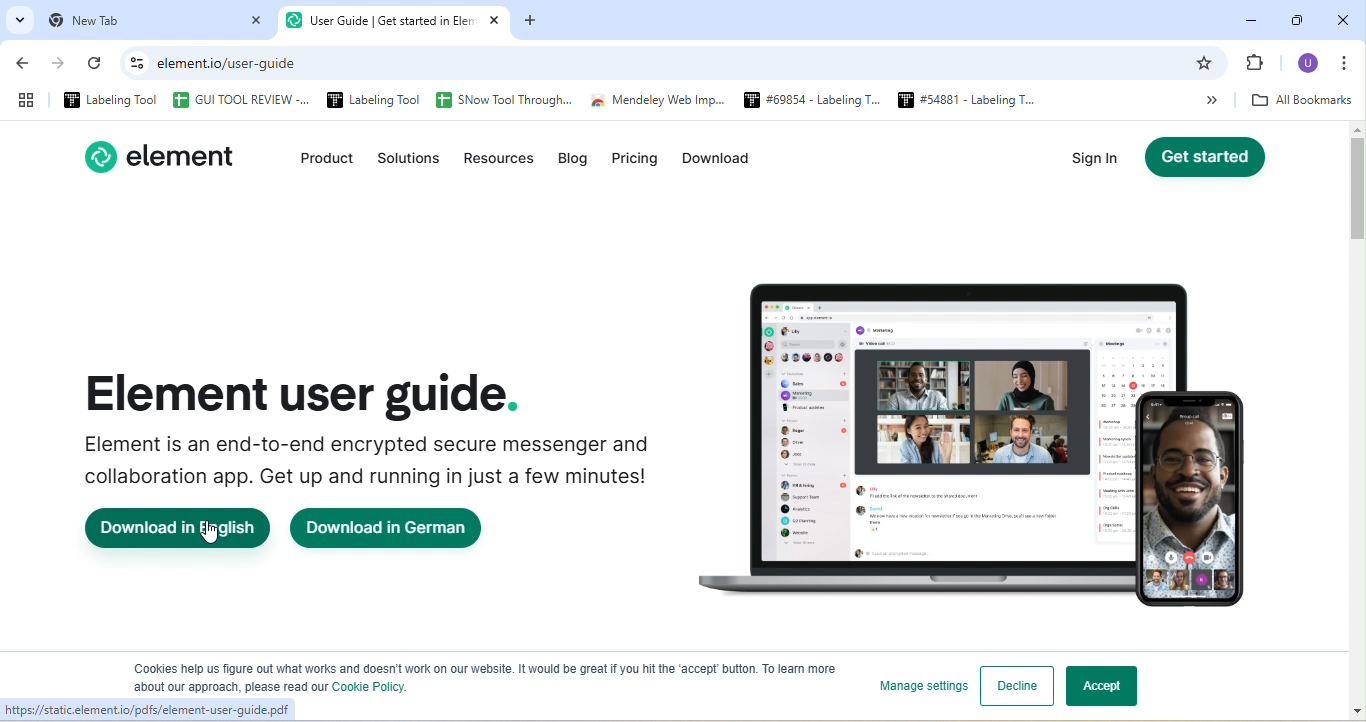  What do you see at coordinates (634, 162) in the screenshot?
I see `pricing` at bounding box center [634, 162].